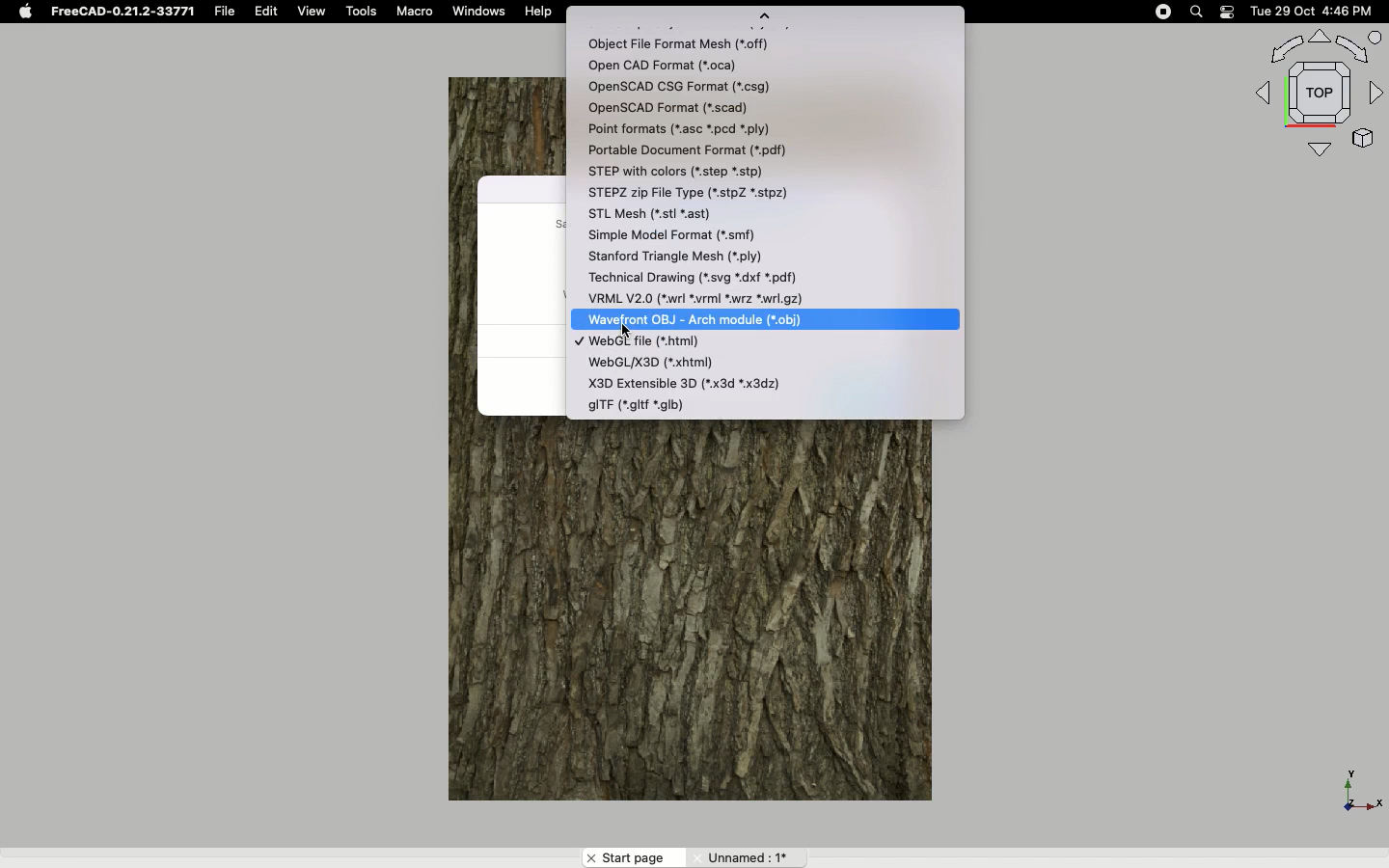  Describe the element at coordinates (225, 12) in the screenshot. I see `File` at that location.